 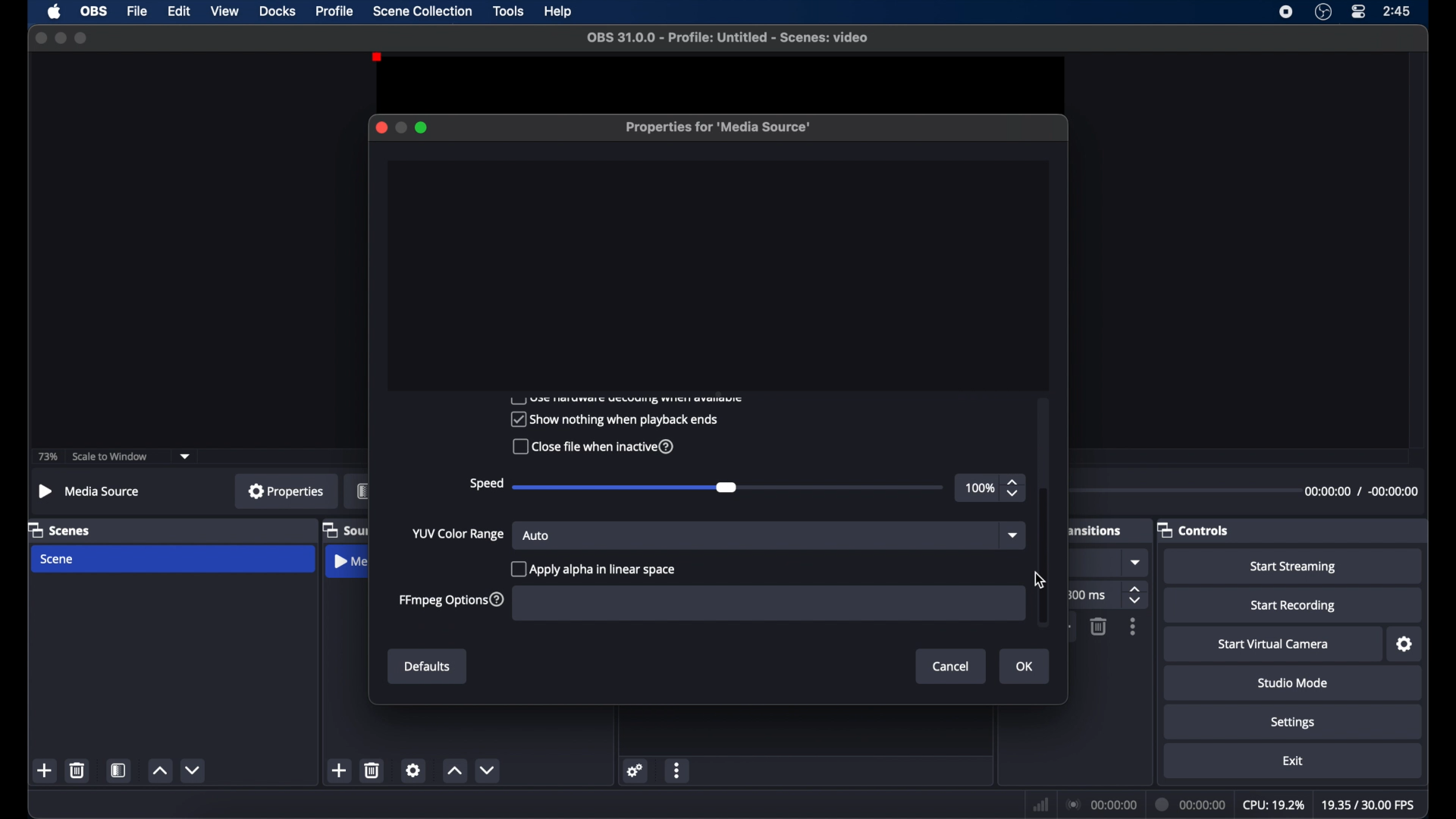 I want to click on start streaming, so click(x=1294, y=567).